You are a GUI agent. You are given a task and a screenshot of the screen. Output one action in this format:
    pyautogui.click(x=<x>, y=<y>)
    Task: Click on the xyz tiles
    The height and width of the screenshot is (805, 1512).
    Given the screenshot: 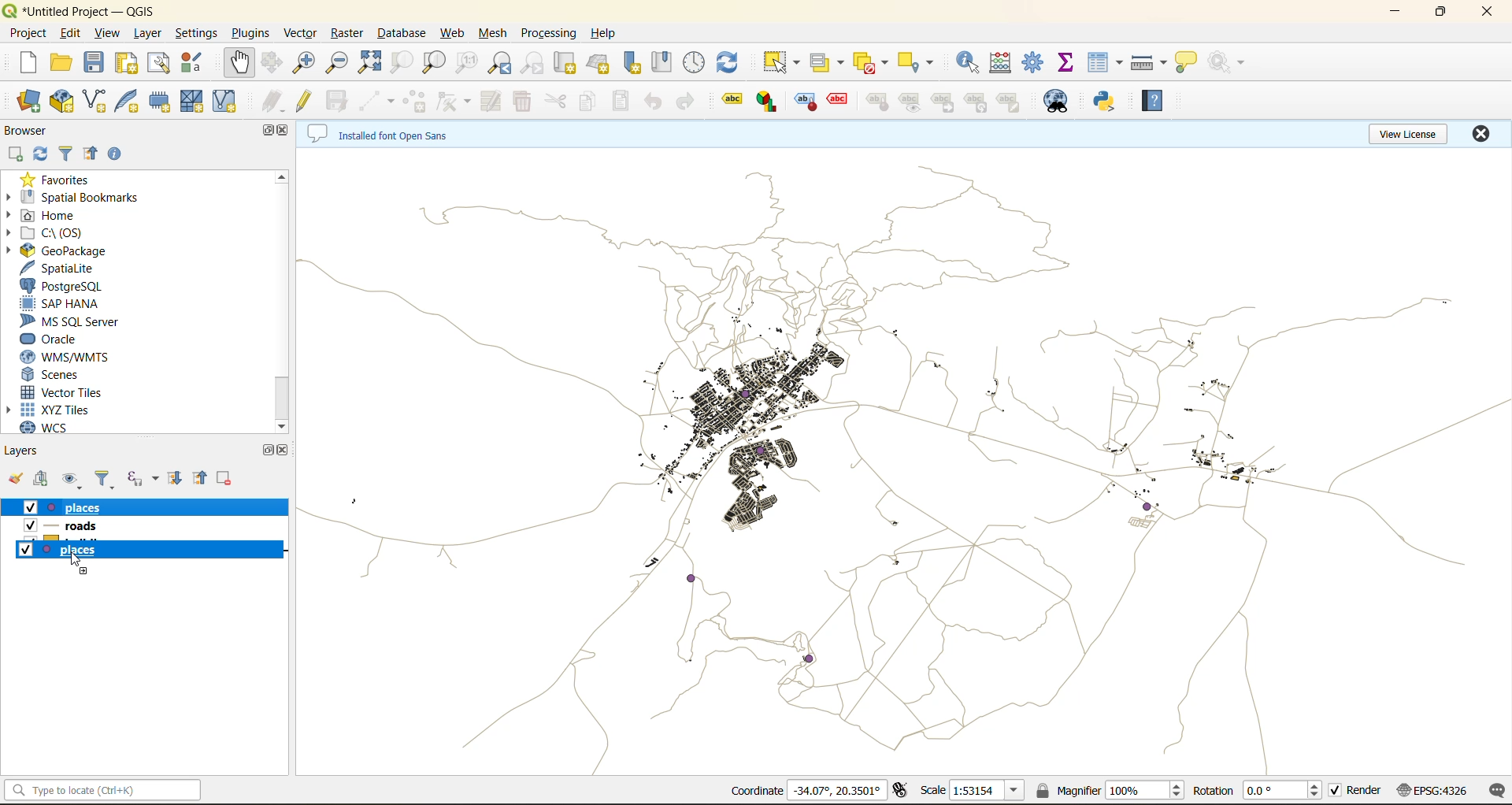 What is the action you would take?
    pyautogui.click(x=71, y=409)
    